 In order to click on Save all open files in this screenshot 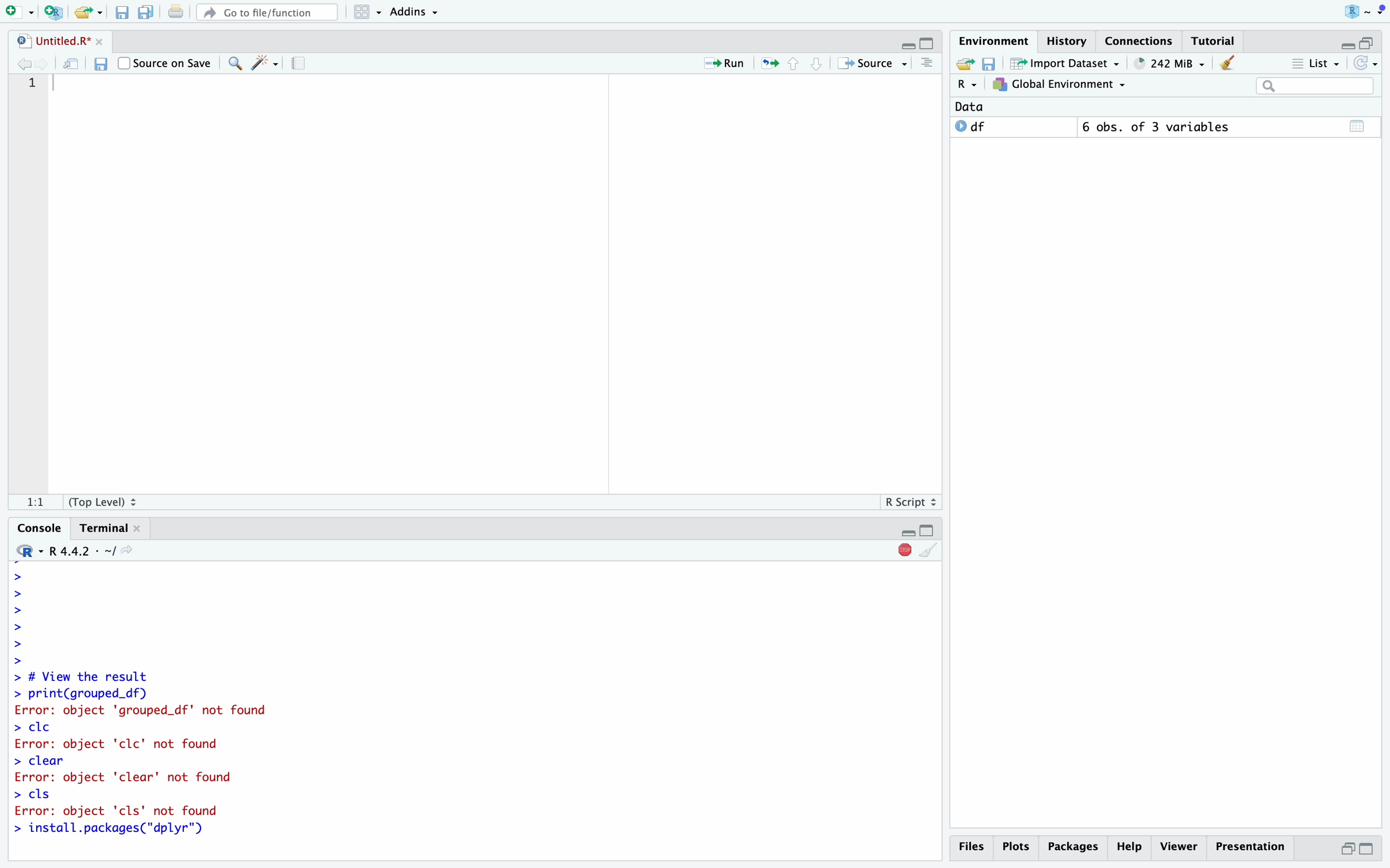, I will do `click(146, 12)`.